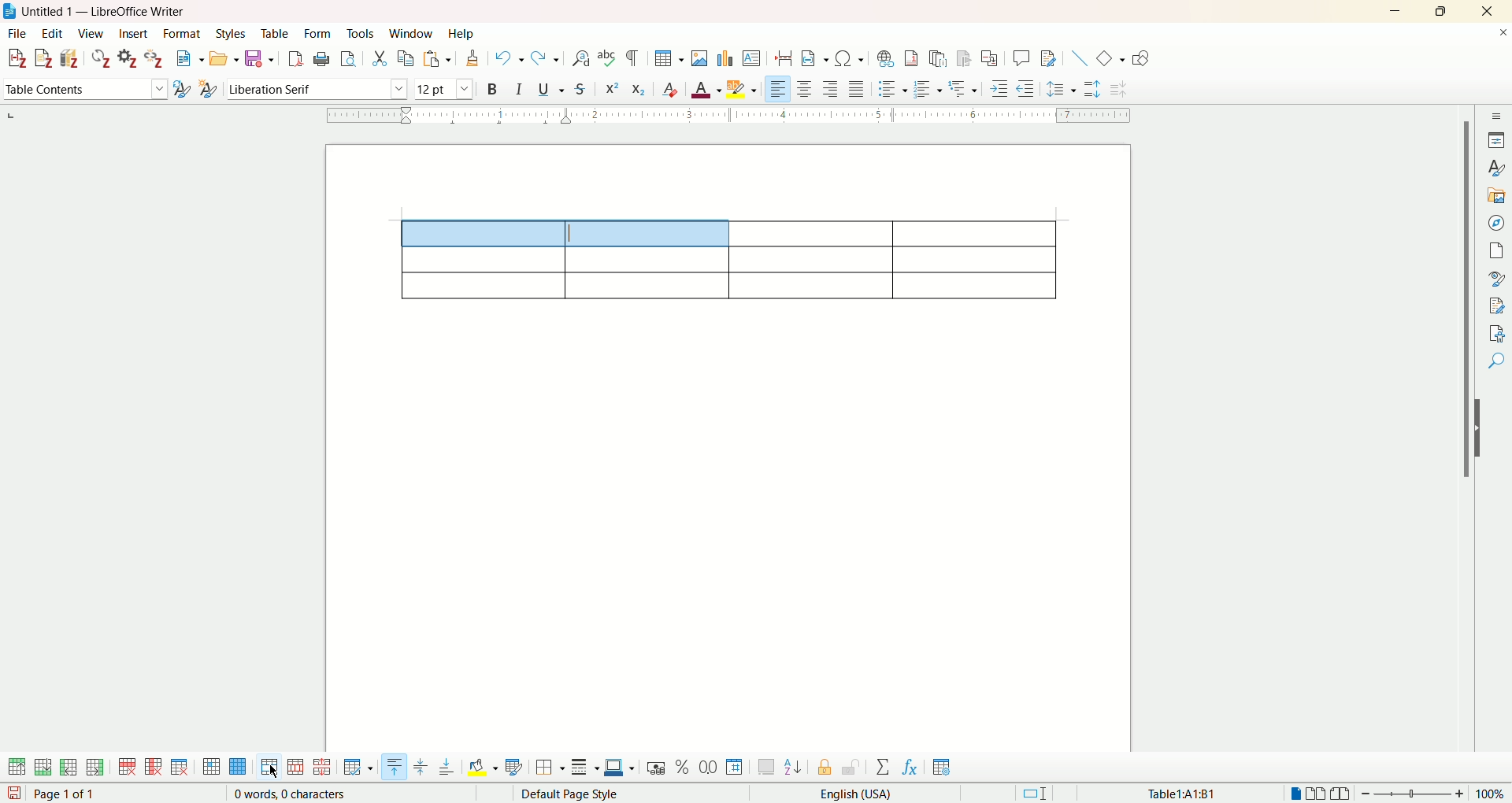  What do you see at coordinates (1495, 335) in the screenshot?
I see `accessibility check` at bounding box center [1495, 335].